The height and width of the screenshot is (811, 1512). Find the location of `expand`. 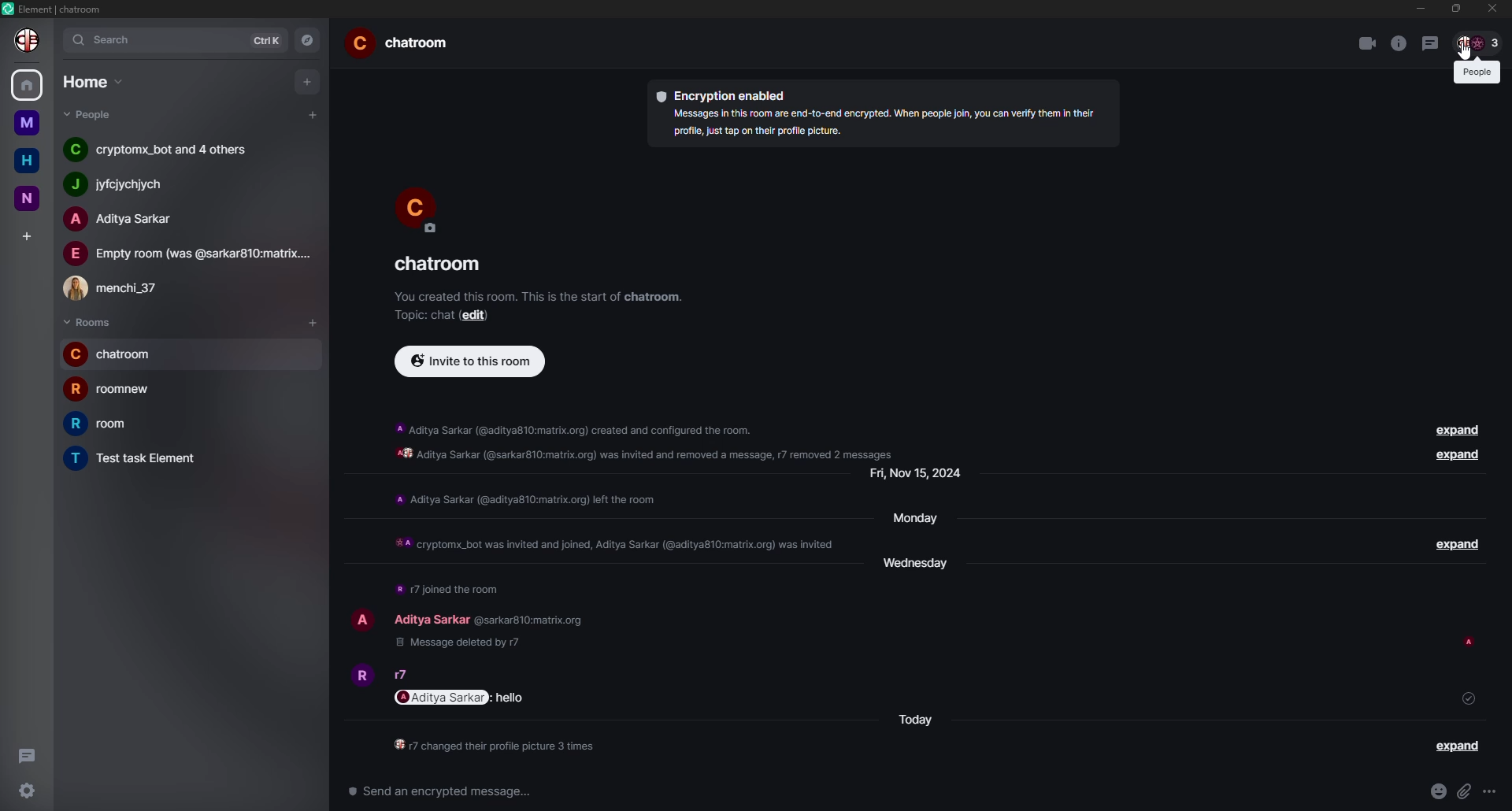

expand is located at coordinates (1456, 428).